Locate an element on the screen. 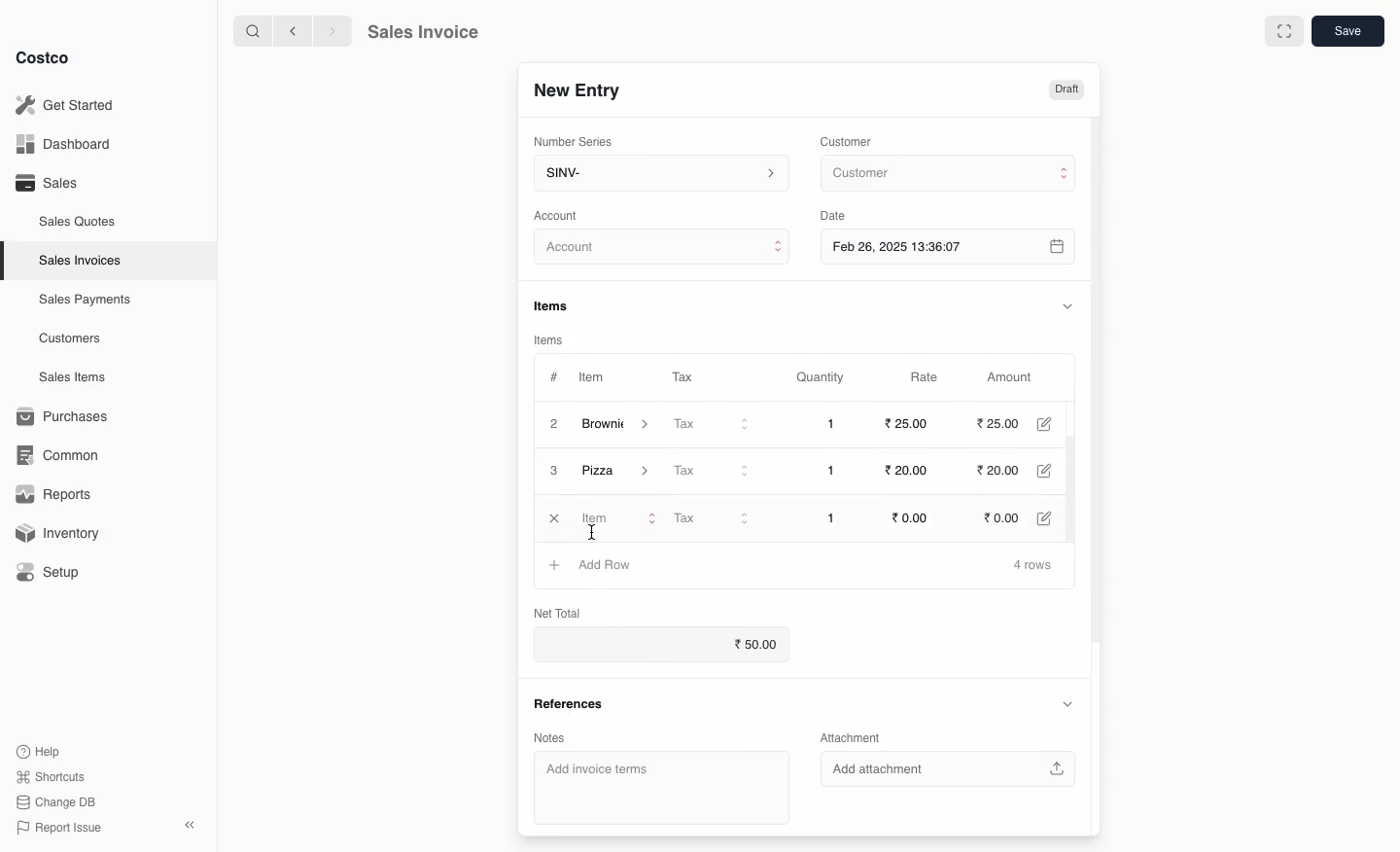 The width and height of the screenshot is (1400, 852). Edit is located at coordinates (1051, 518).